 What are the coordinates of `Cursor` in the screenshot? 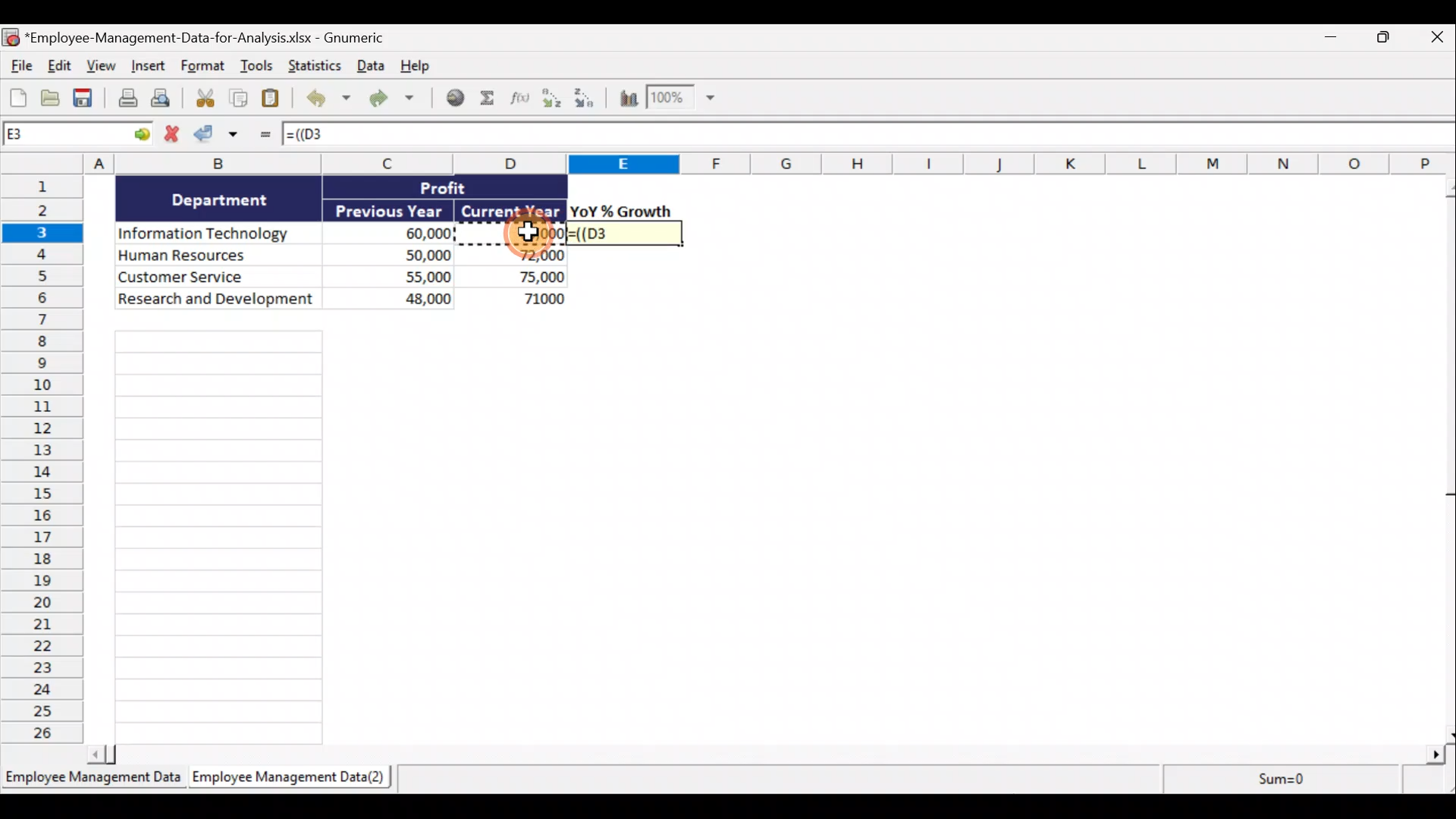 It's located at (530, 231).